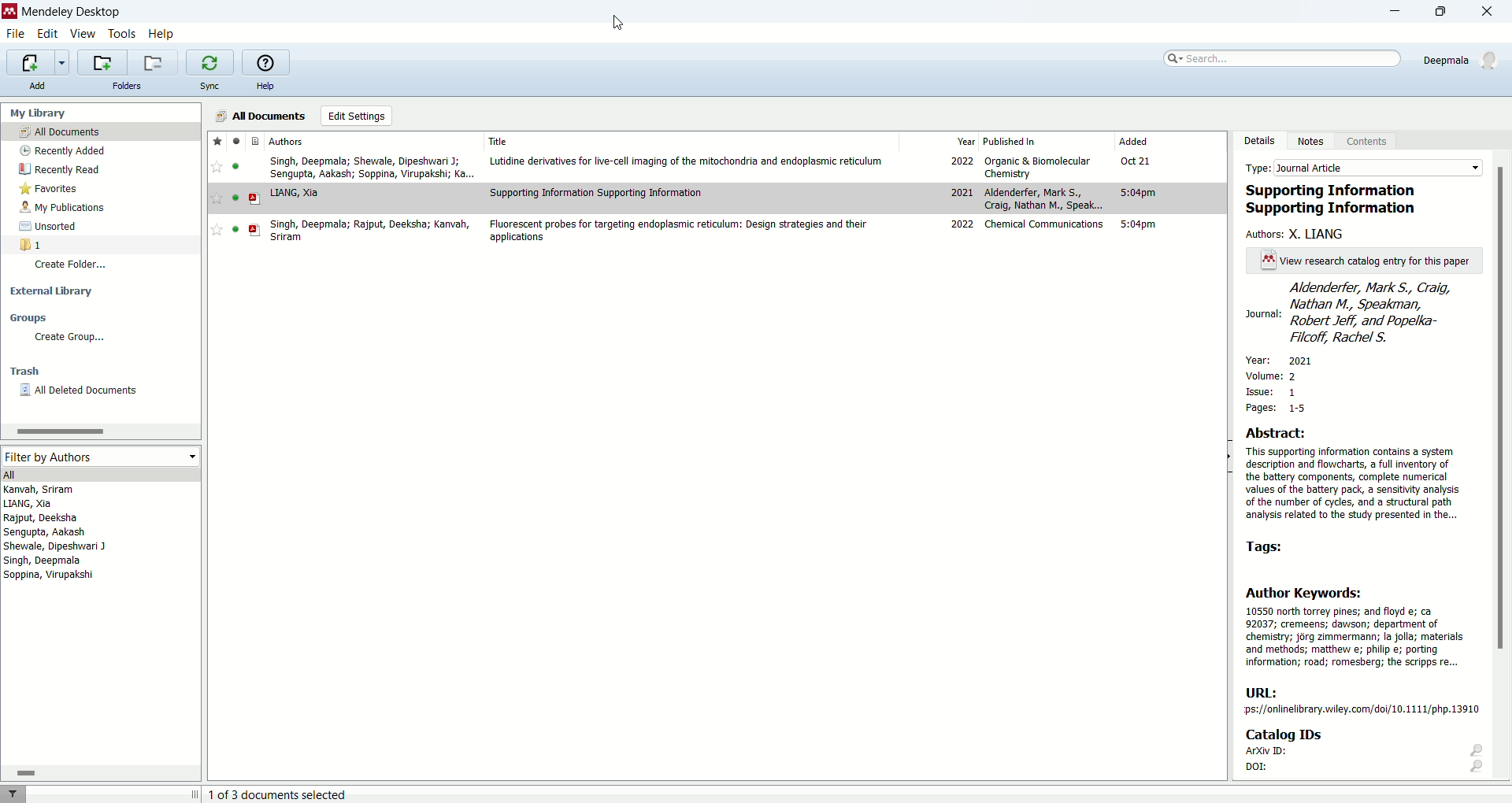 This screenshot has width=1512, height=803. What do you see at coordinates (102, 457) in the screenshot?
I see `filter by authors` at bounding box center [102, 457].